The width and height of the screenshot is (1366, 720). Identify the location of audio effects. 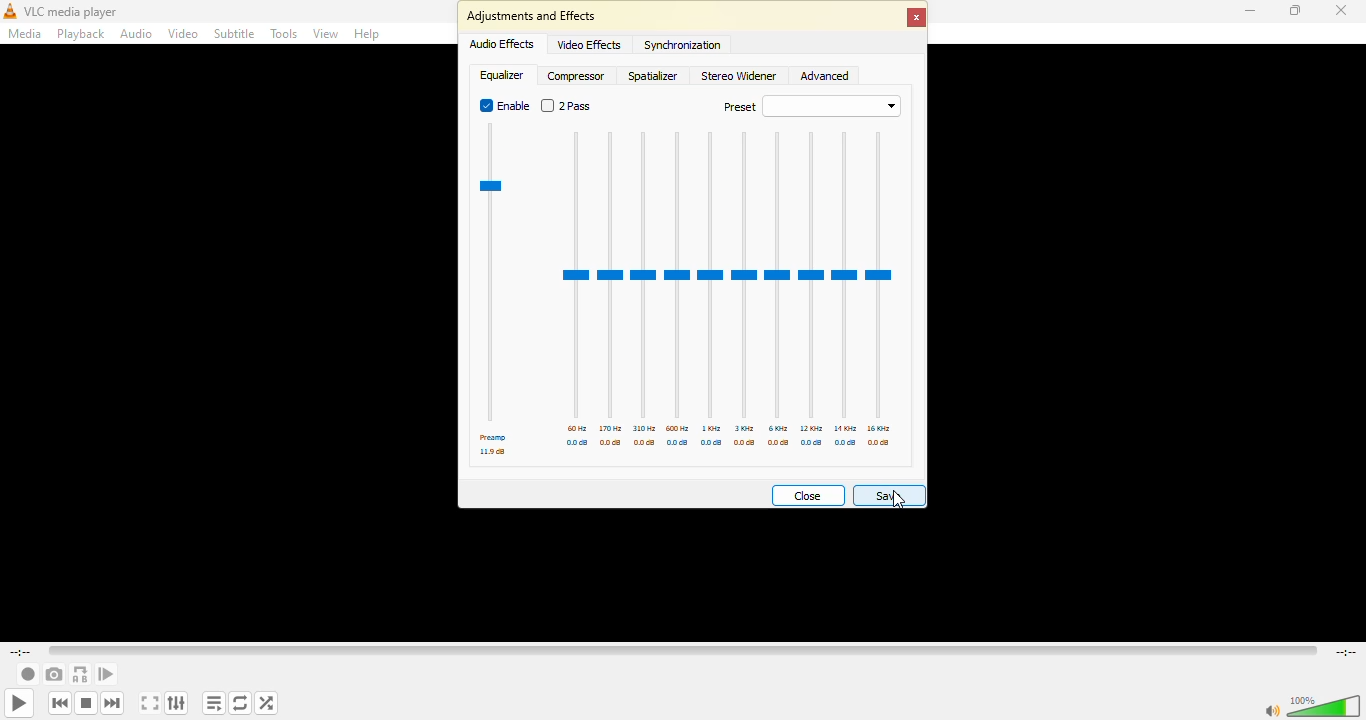
(503, 44).